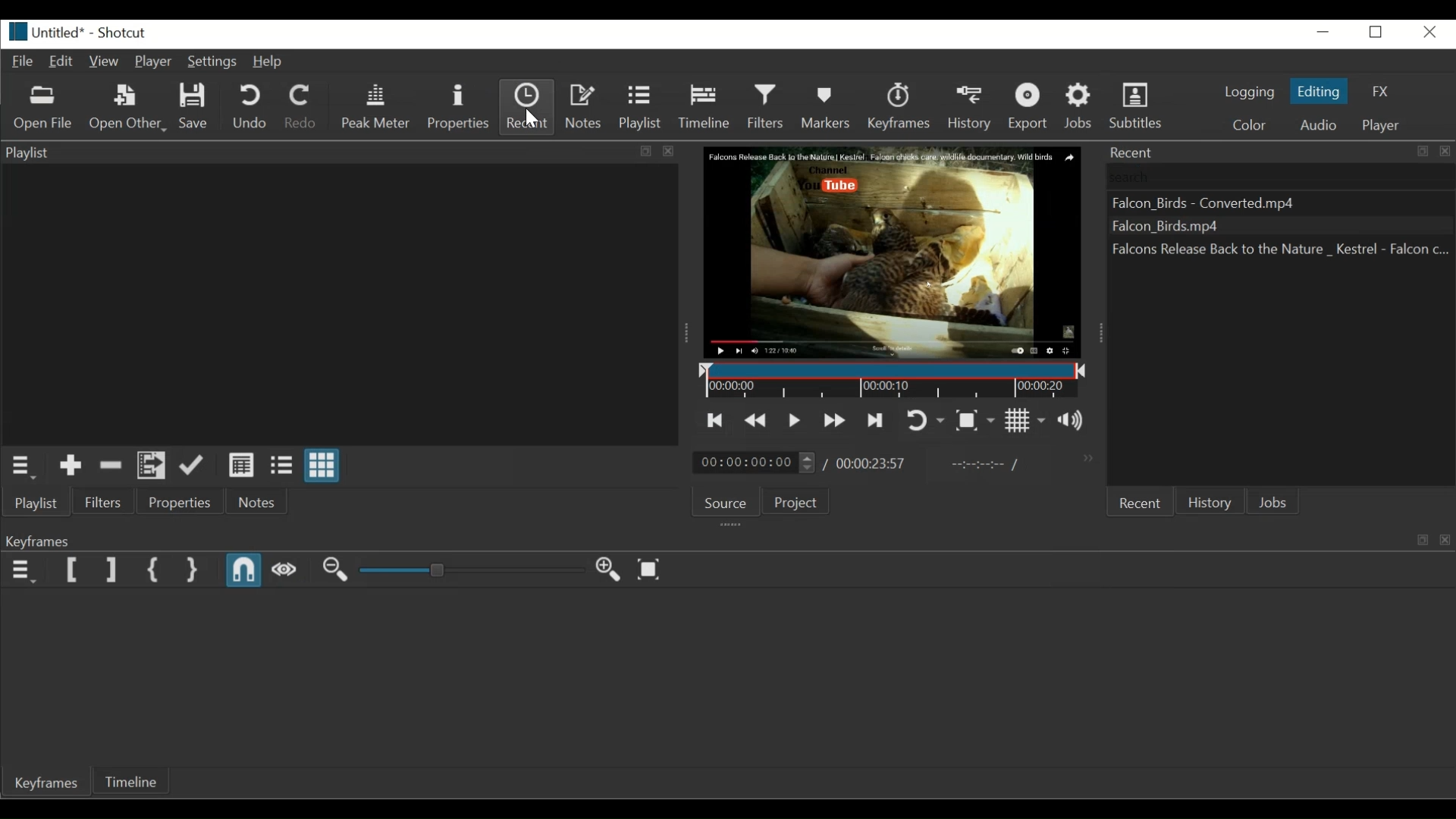 This screenshot has height=819, width=1456. Describe the element at coordinates (337, 306) in the screenshot. I see `Clip thumbnail` at that location.